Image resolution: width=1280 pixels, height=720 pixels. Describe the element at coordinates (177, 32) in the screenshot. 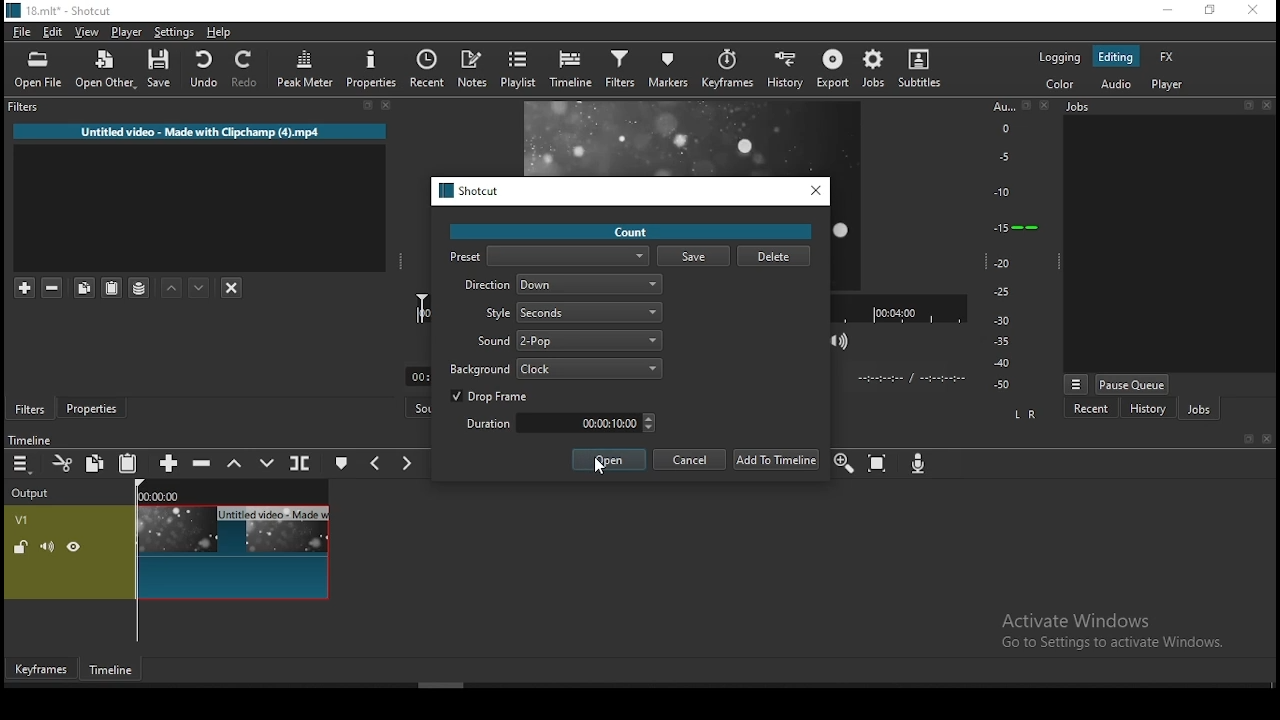

I see `settings` at that location.